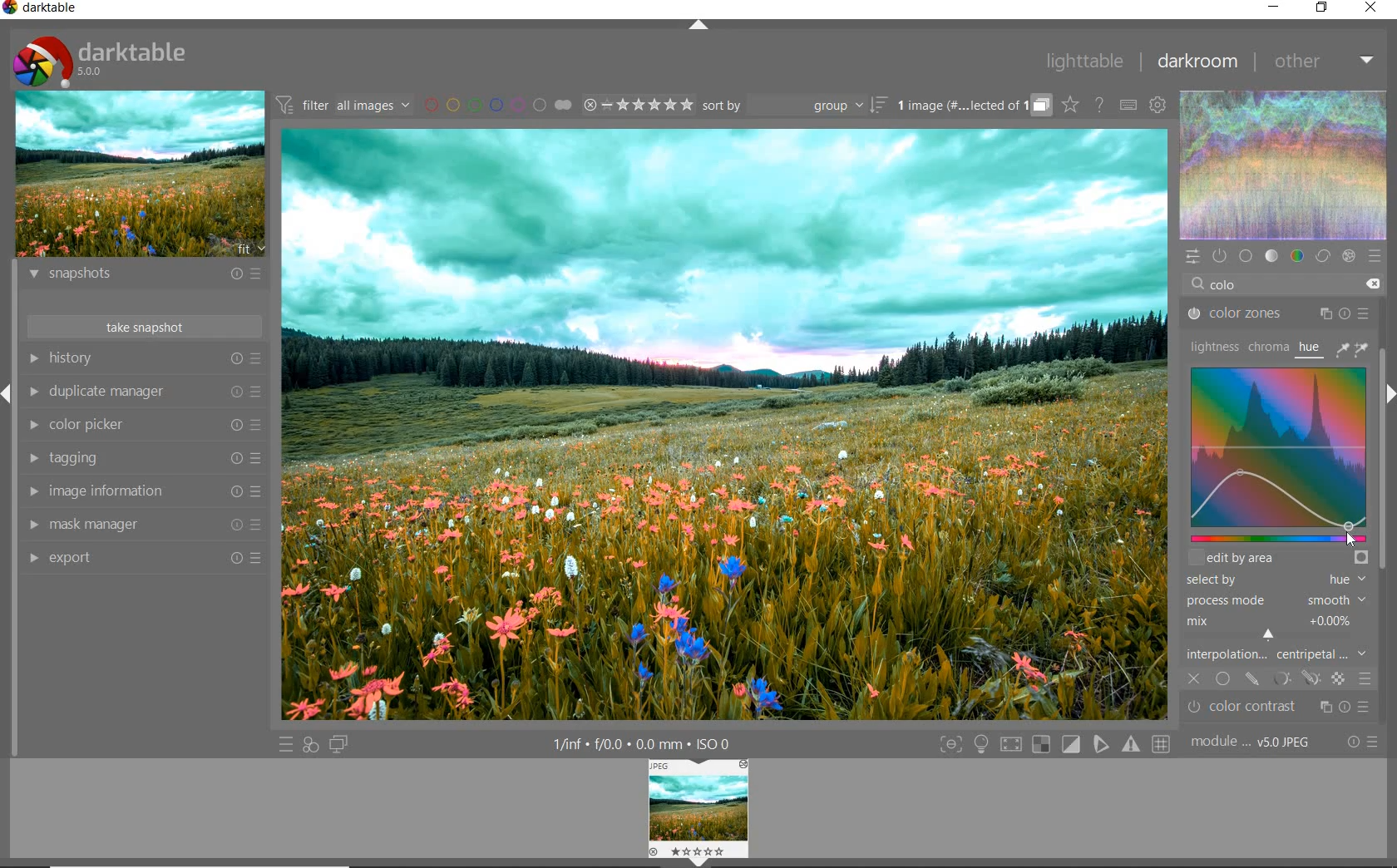 The height and width of the screenshot is (868, 1397). I want to click on off, so click(1195, 677).